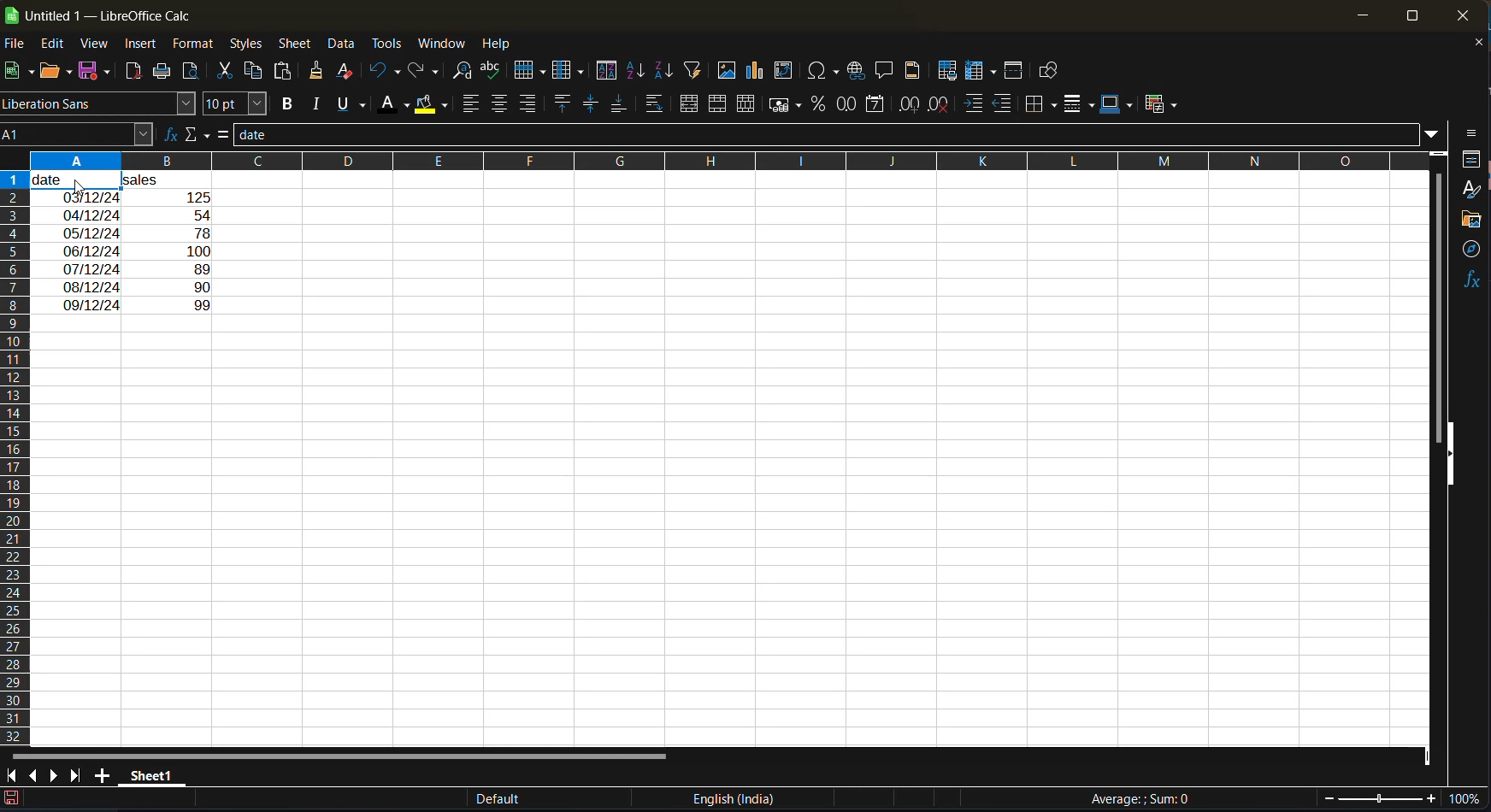 The width and height of the screenshot is (1491, 812). I want to click on format as number, so click(852, 104).